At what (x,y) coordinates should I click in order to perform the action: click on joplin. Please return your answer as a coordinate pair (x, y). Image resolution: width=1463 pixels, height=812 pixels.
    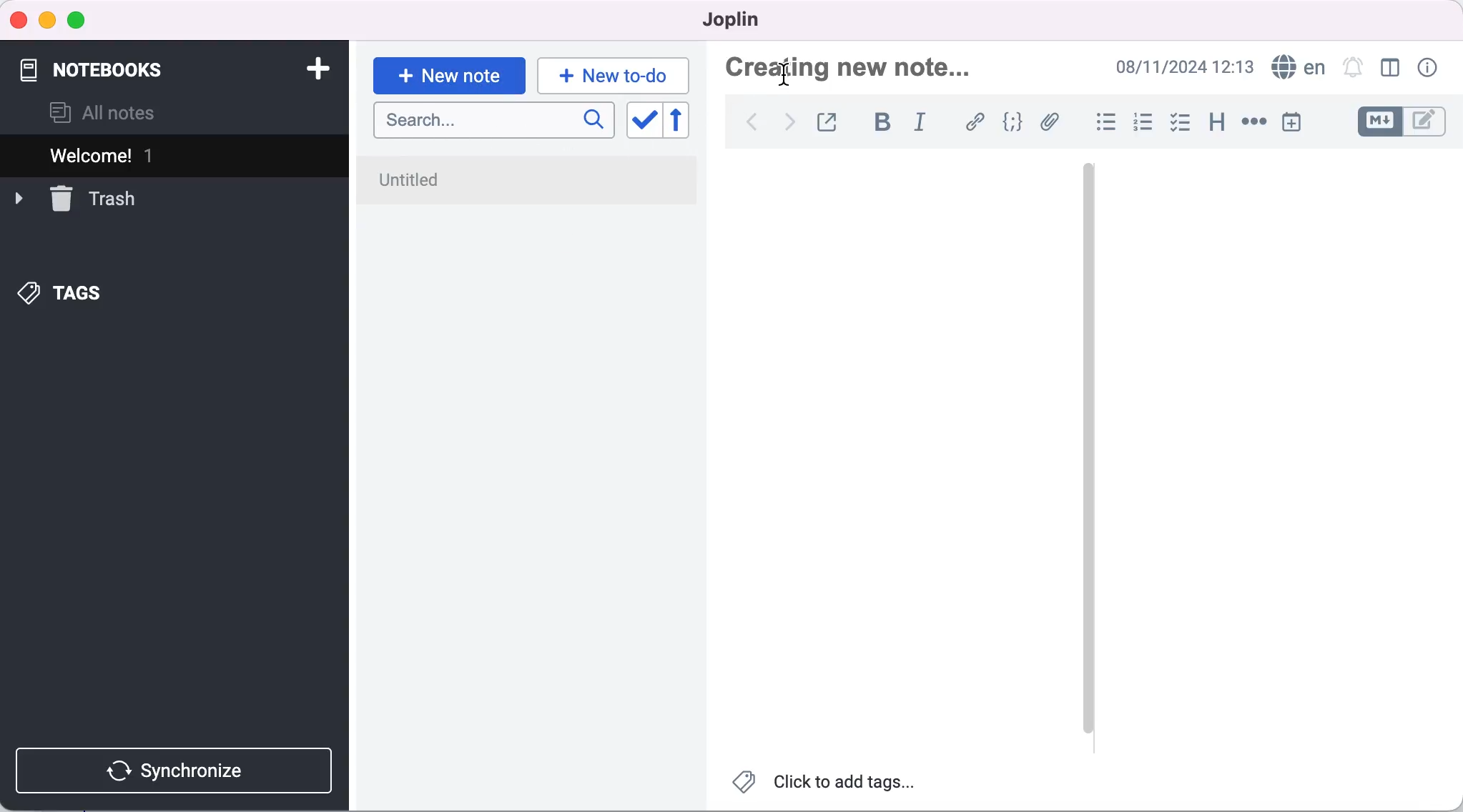
    Looking at the image, I should click on (741, 20).